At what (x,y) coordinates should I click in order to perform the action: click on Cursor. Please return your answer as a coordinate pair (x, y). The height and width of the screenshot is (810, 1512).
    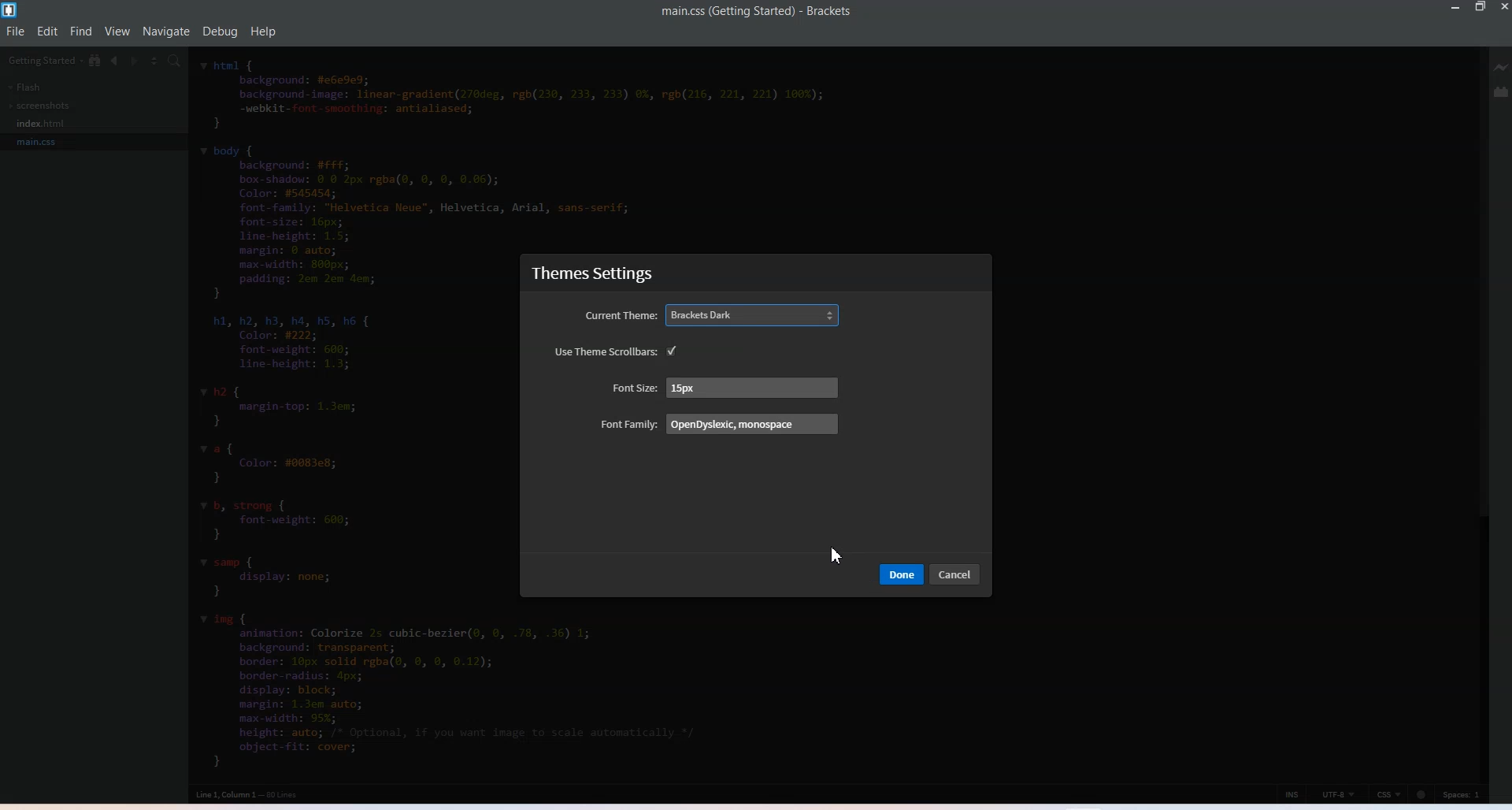
    Looking at the image, I should click on (843, 546).